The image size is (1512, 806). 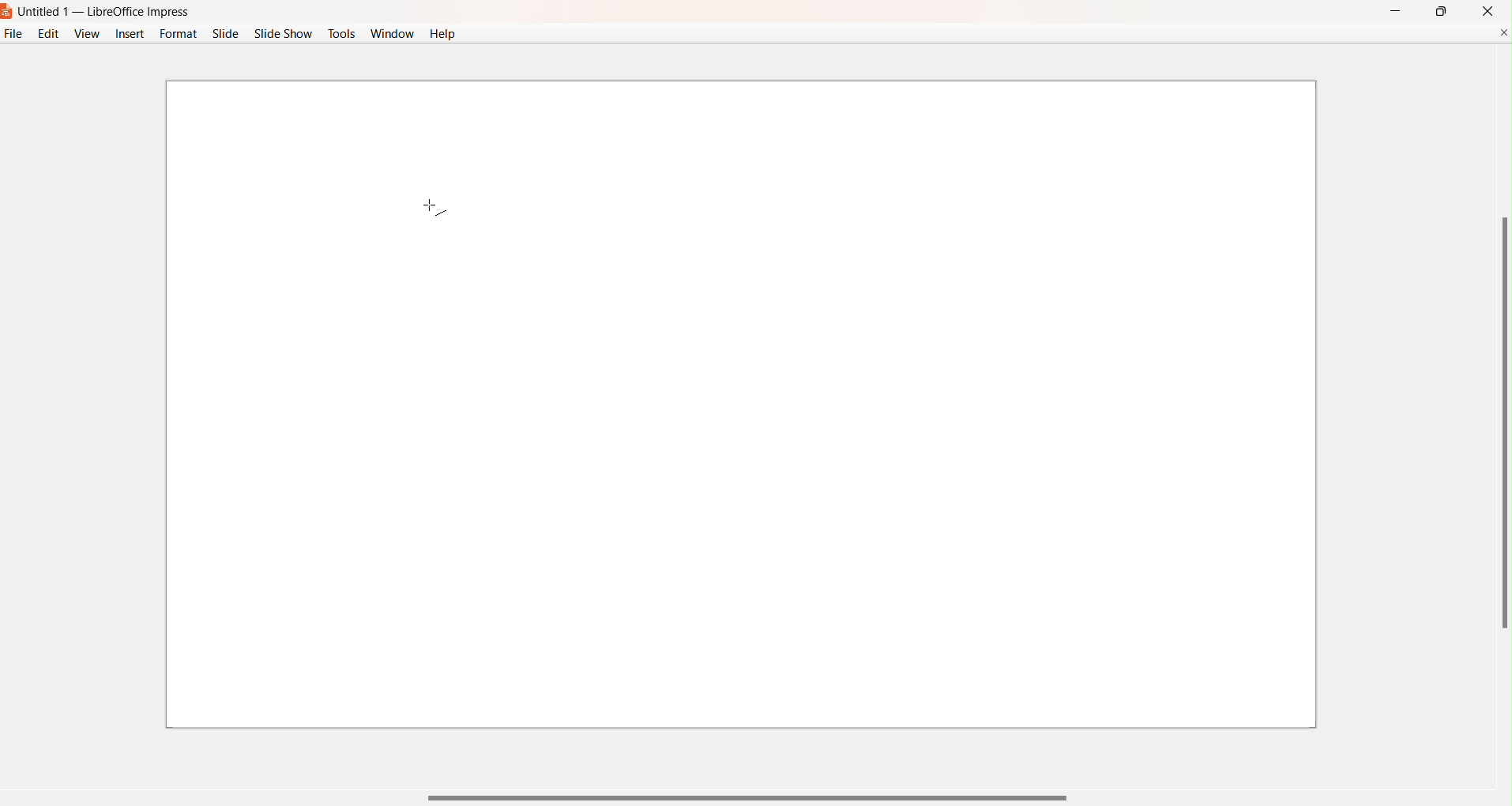 What do you see at coordinates (86, 33) in the screenshot?
I see `View` at bounding box center [86, 33].